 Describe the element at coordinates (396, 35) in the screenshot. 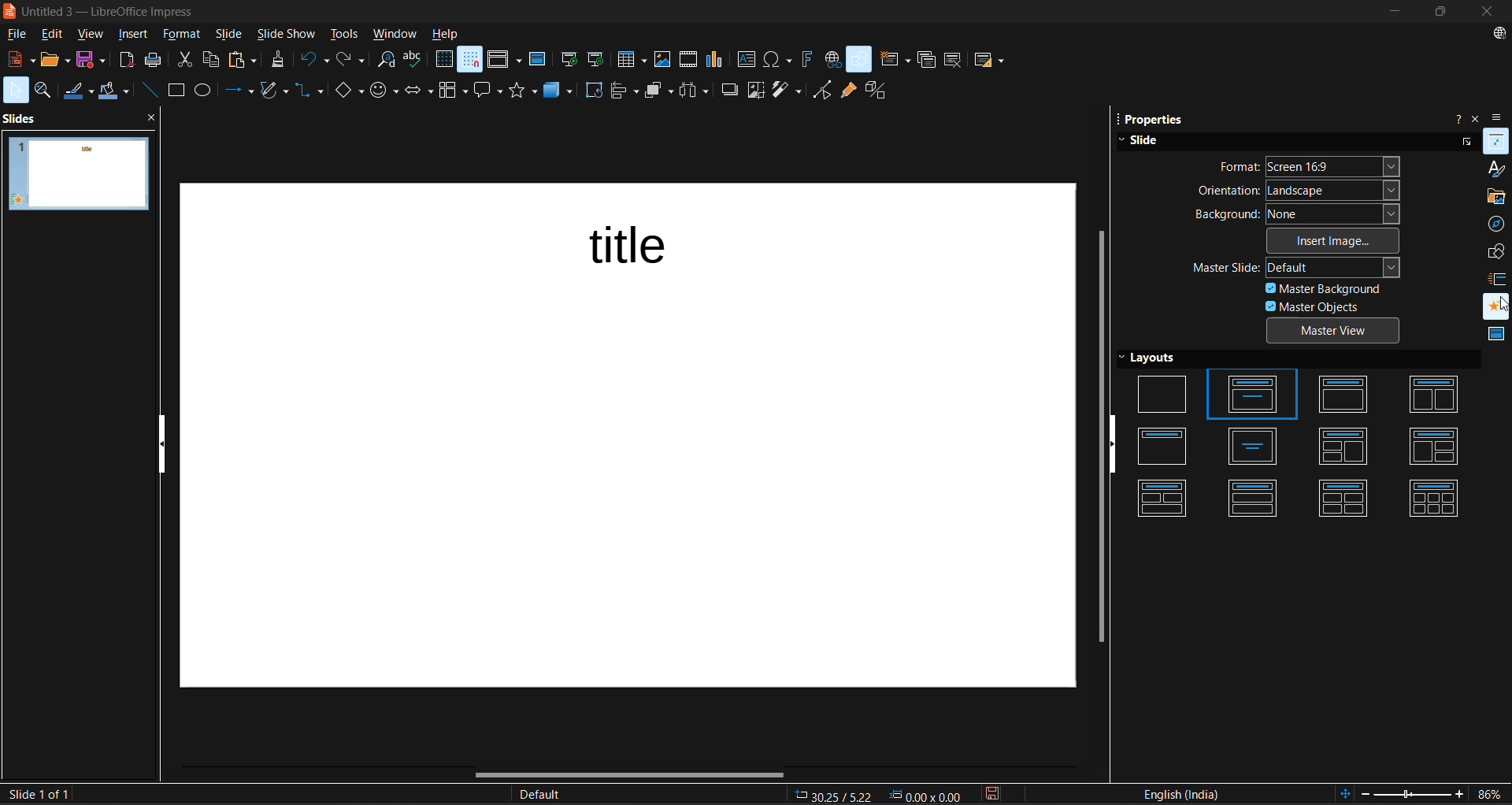

I see `window` at that location.